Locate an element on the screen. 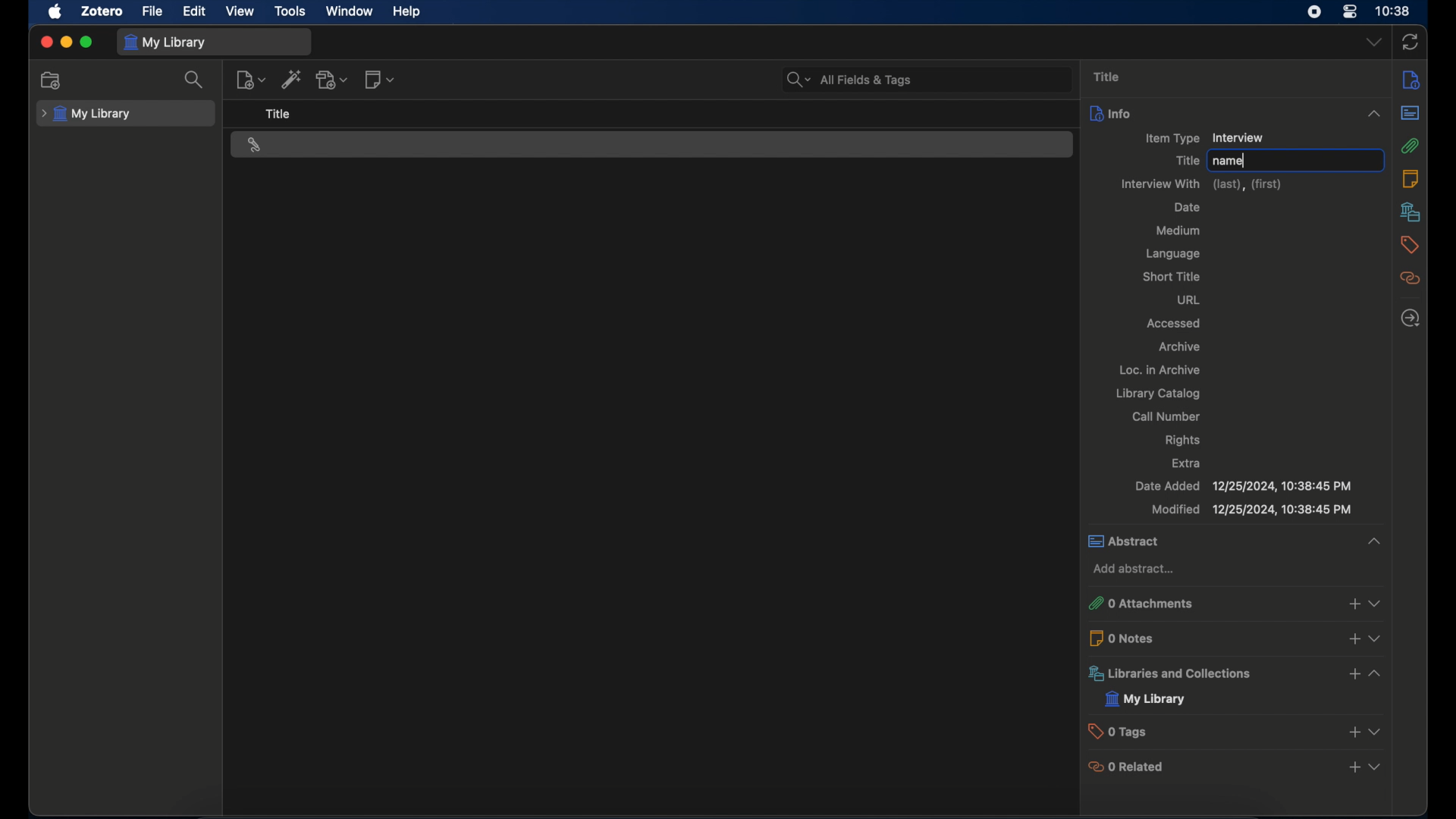 The height and width of the screenshot is (819, 1456). attachments is located at coordinates (1410, 146).